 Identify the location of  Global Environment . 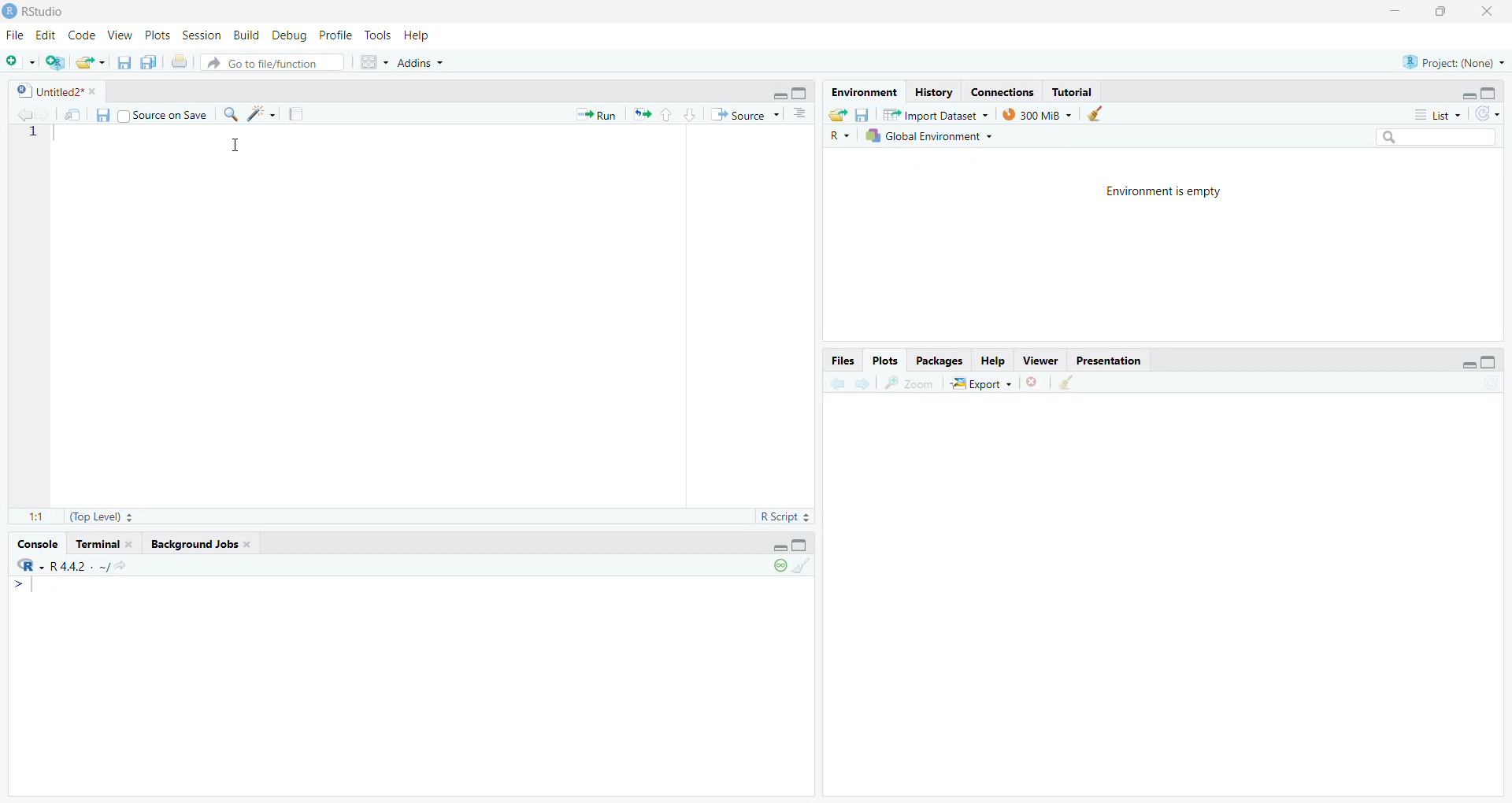
(935, 137).